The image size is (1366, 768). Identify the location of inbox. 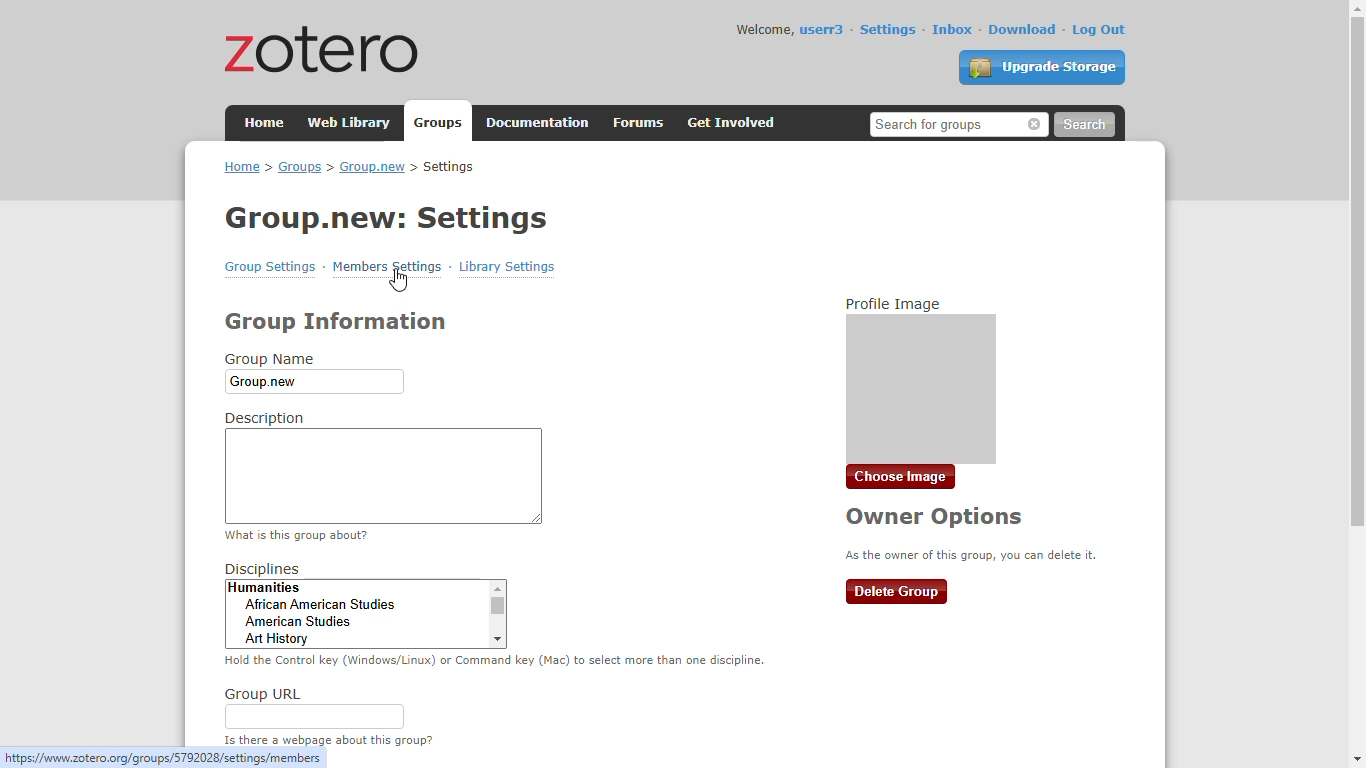
(953, 29).